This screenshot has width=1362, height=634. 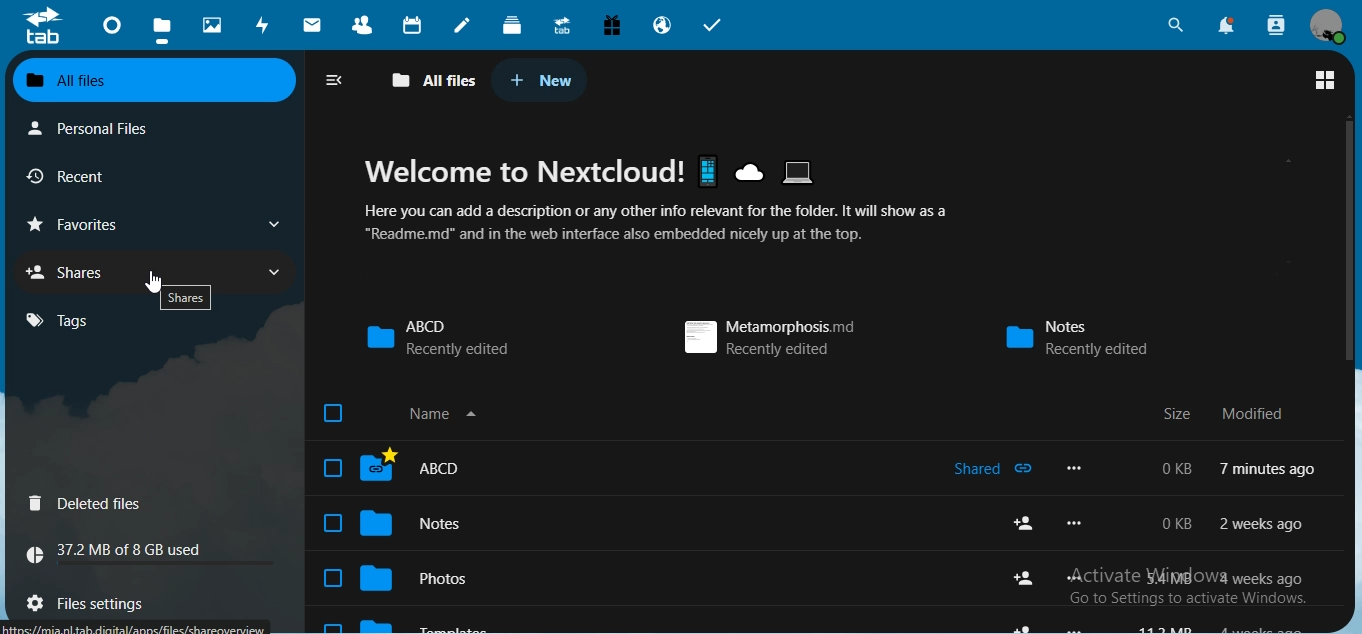 I want to click on dashboard, so click(x=112, y=29).